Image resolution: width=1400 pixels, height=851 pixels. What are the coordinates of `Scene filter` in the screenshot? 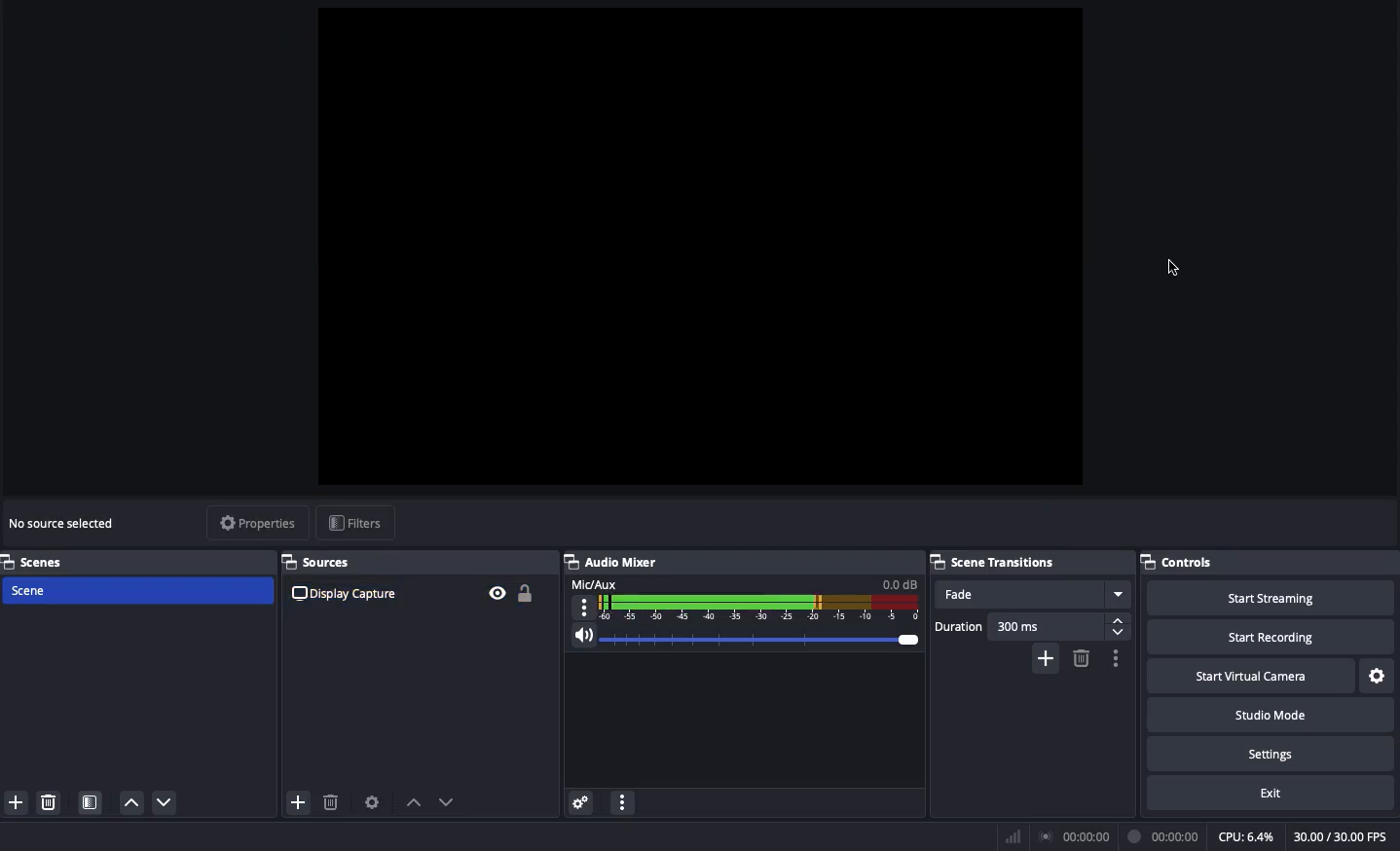 It's located at (91, 804).